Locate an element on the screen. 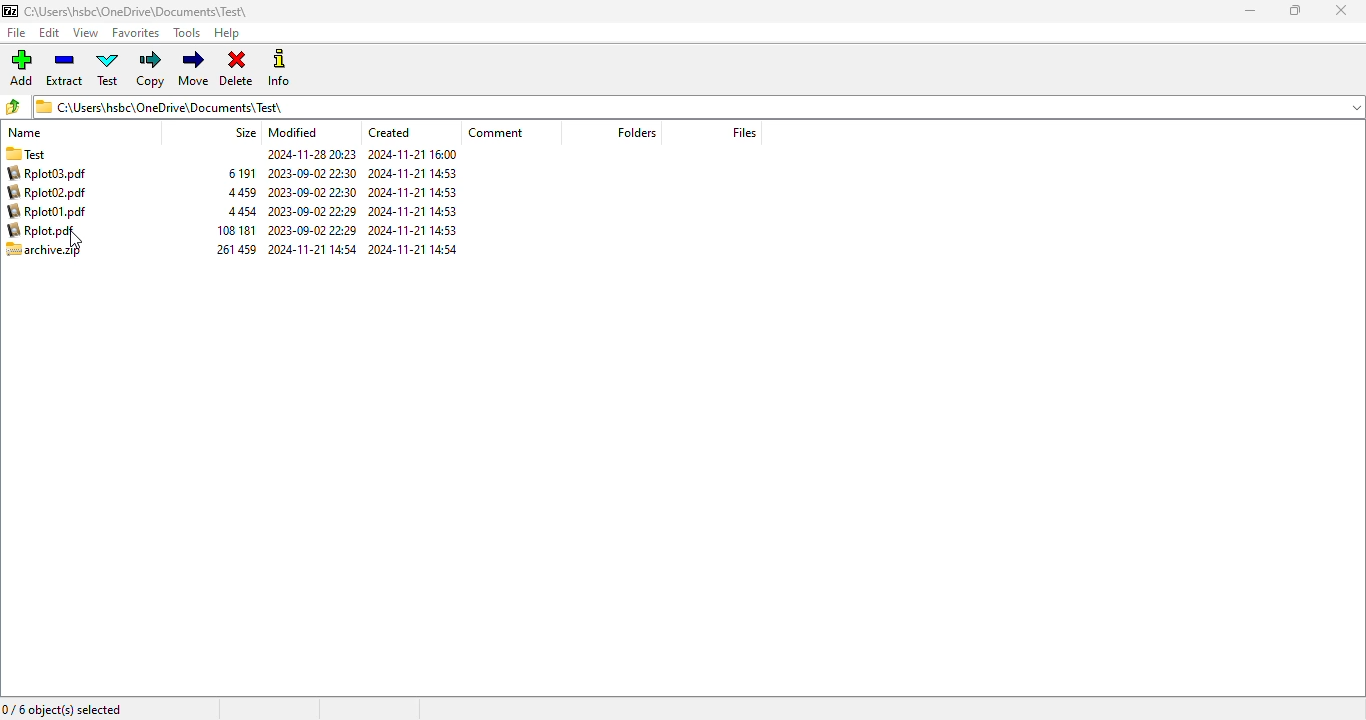 The image size is (1366, 720). folders is located at coordinates (636, 132).